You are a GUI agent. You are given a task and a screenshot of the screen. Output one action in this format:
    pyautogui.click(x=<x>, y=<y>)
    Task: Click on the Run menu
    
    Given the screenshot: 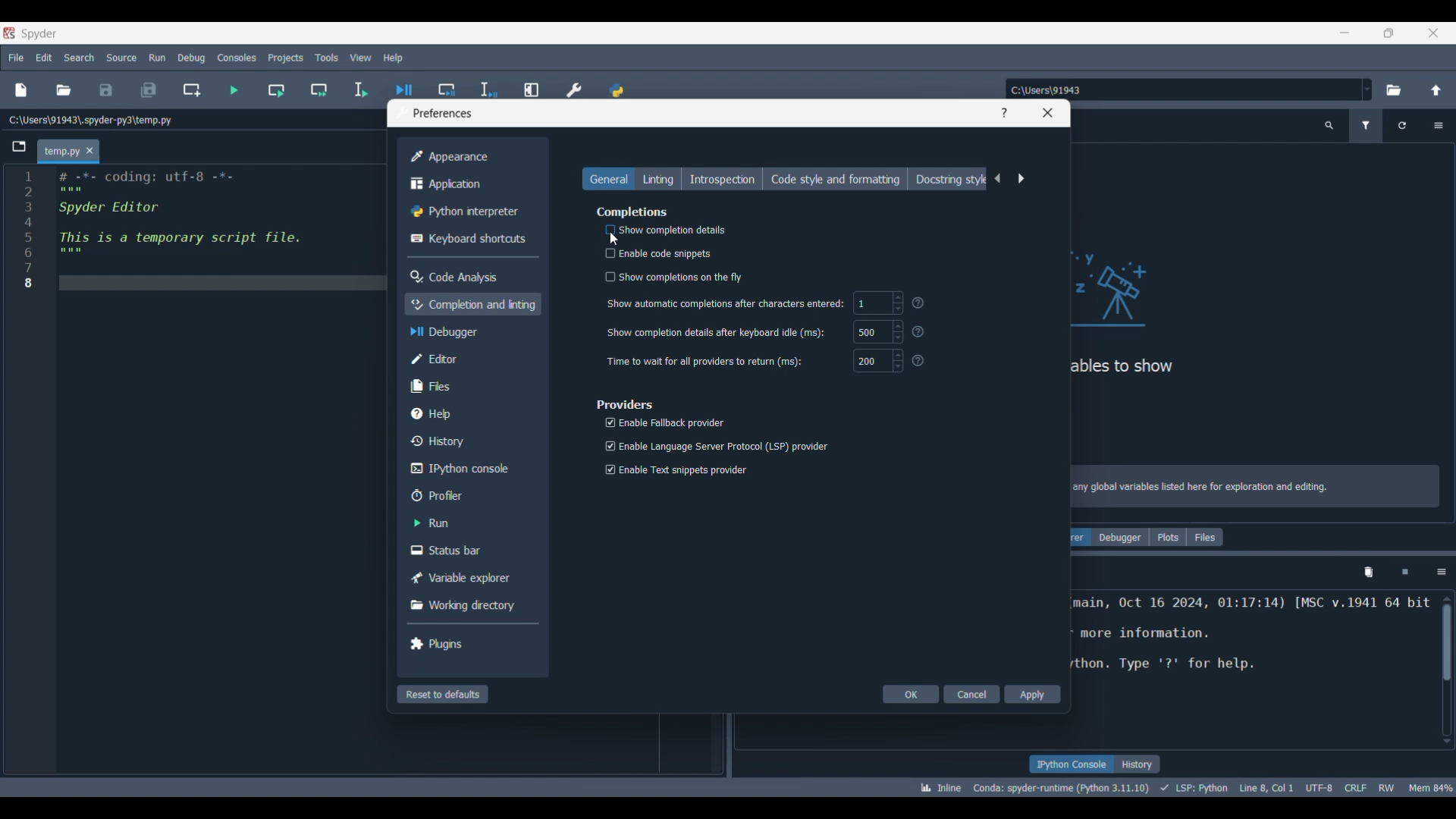 What is the action you would take?
    pyautogui.click(x=157, y=57)
    